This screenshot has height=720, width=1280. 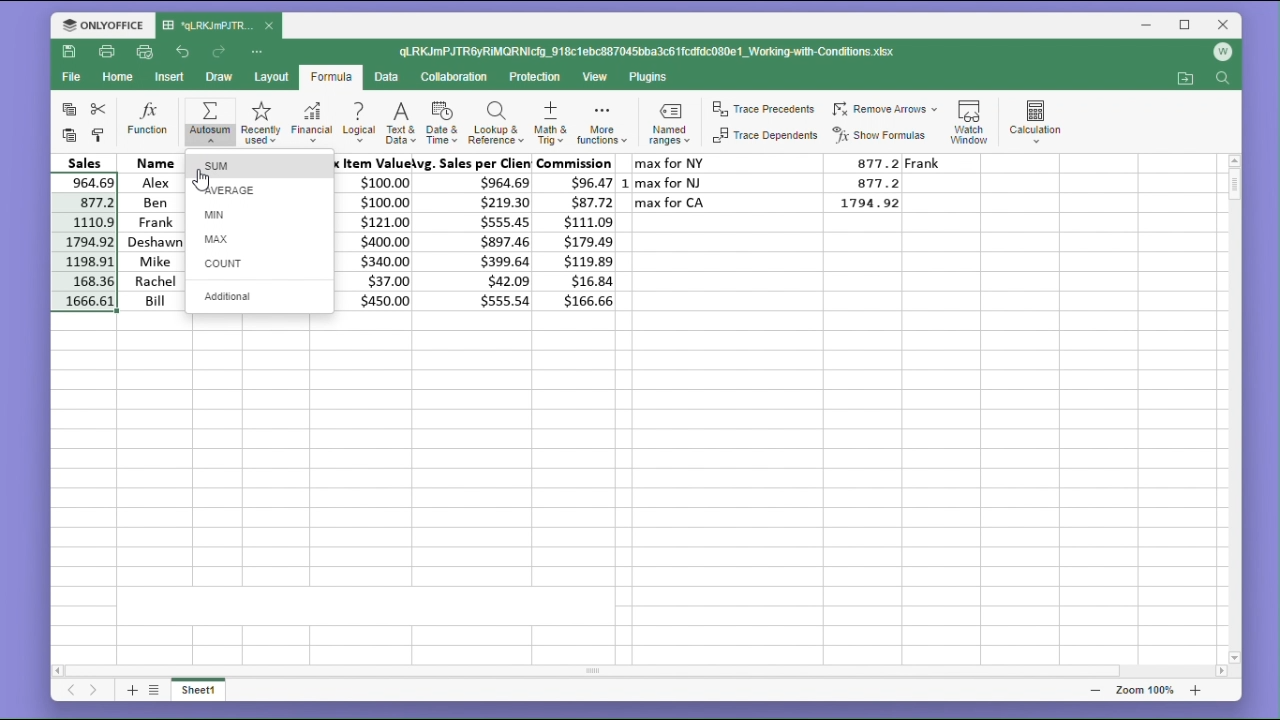 What do you see at coordinates (310, 119) in the screenshot?
I see `financial` at bounding box center [310, 119].